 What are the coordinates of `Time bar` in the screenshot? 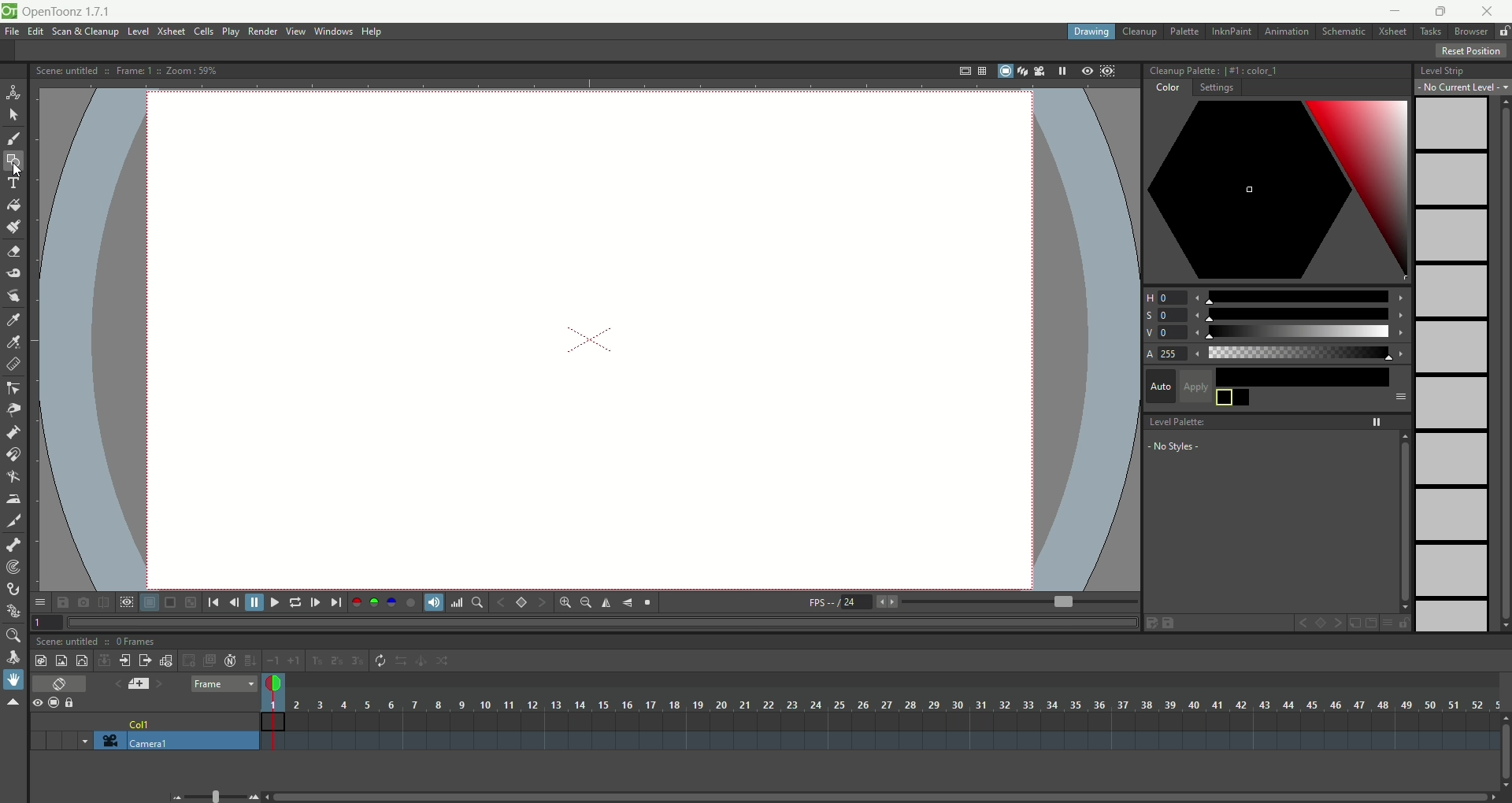 It's located at (893, 705).